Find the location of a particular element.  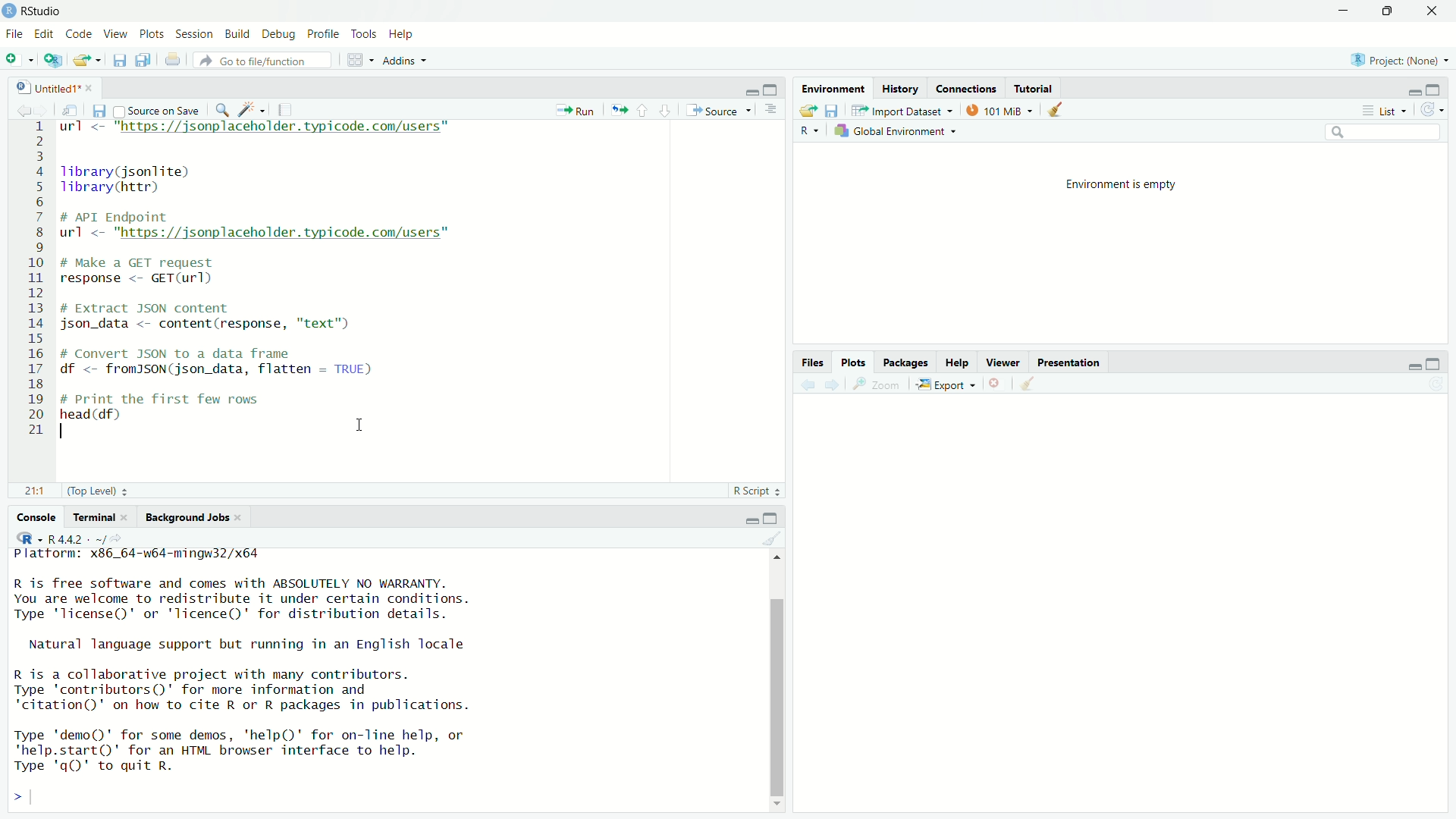

(Top Level)  is located at coordinates (98, 491).